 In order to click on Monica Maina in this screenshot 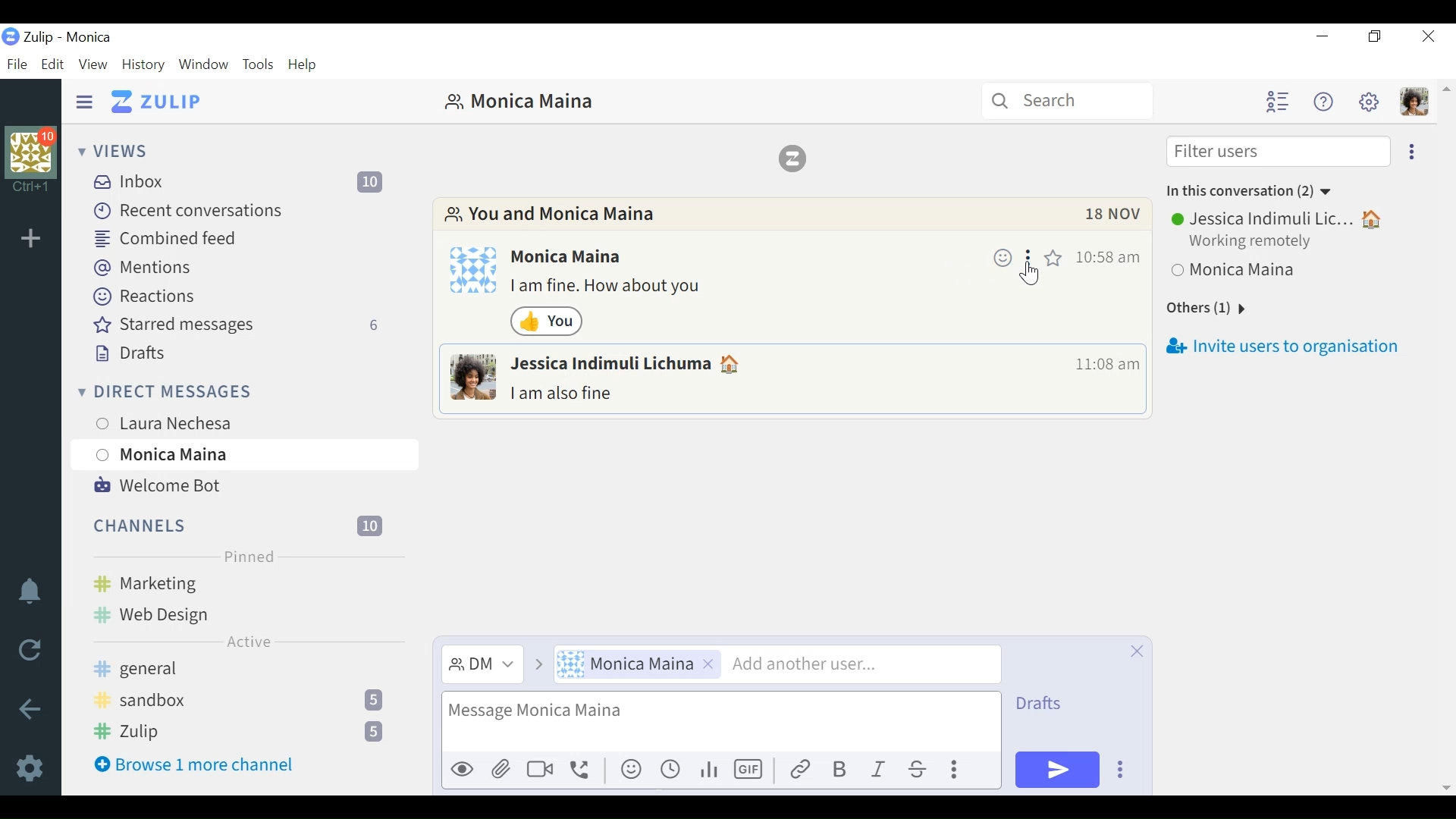, I will do `click(1252, 274)`.